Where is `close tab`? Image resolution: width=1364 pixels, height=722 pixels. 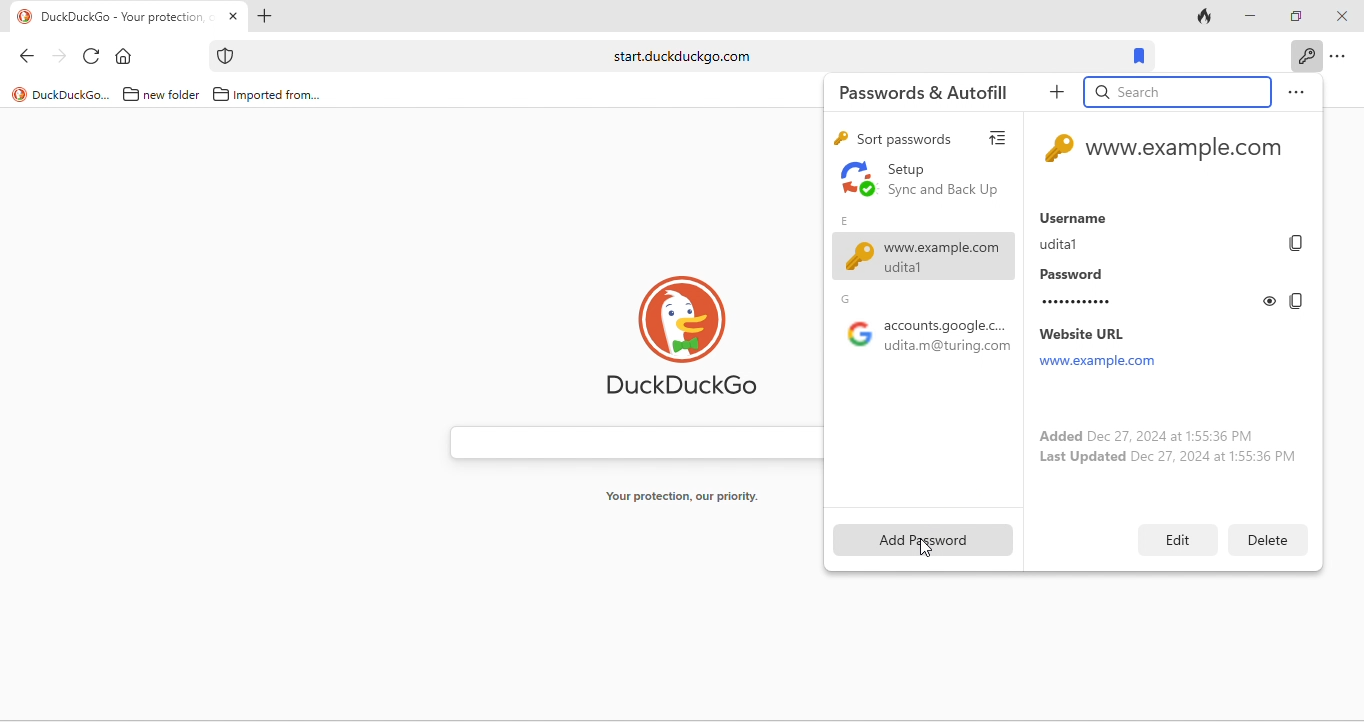
close tab is located at coordinates (233, 17).